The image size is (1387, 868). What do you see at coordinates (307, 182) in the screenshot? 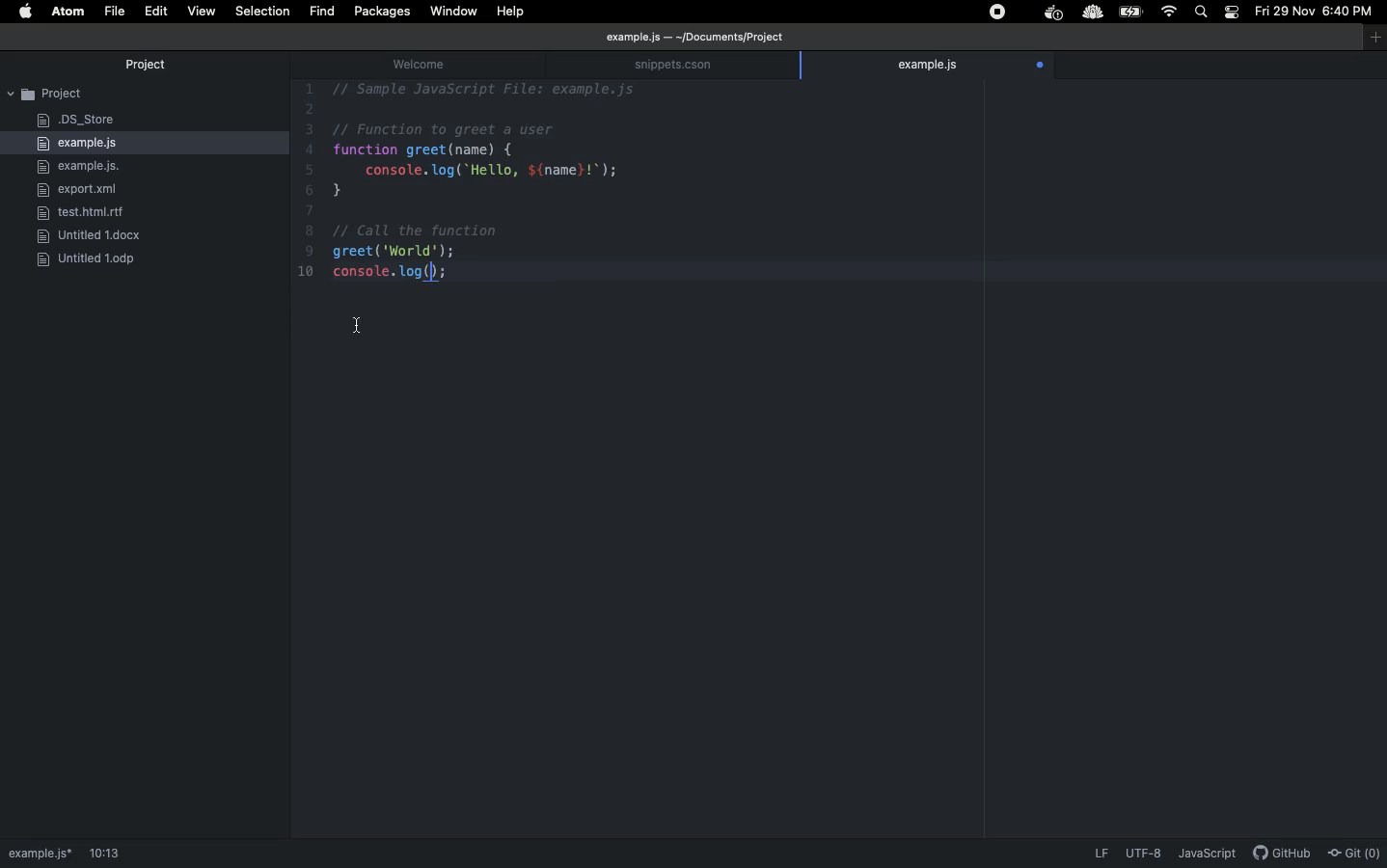
I see `line number` at bounding box center [307, 182].